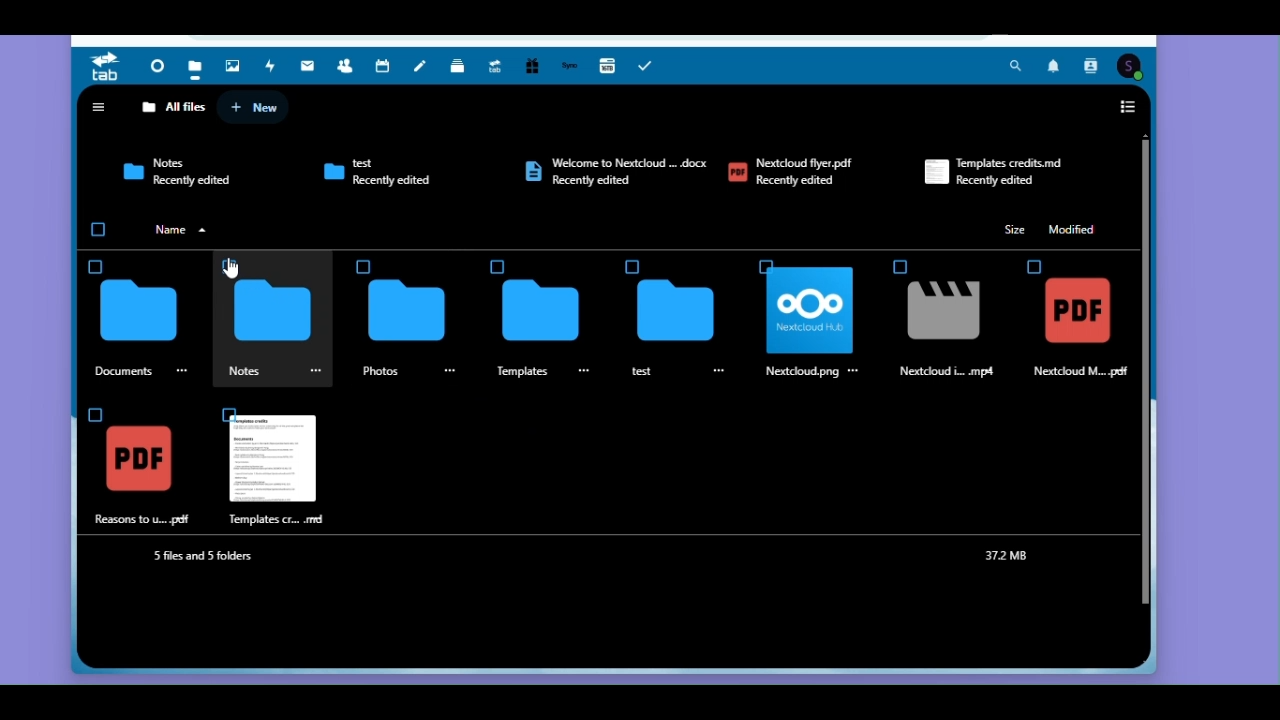 Image resolution: width=1280 pixels, height=720 pixels. I want to click on Cursor, so click(230, 268).